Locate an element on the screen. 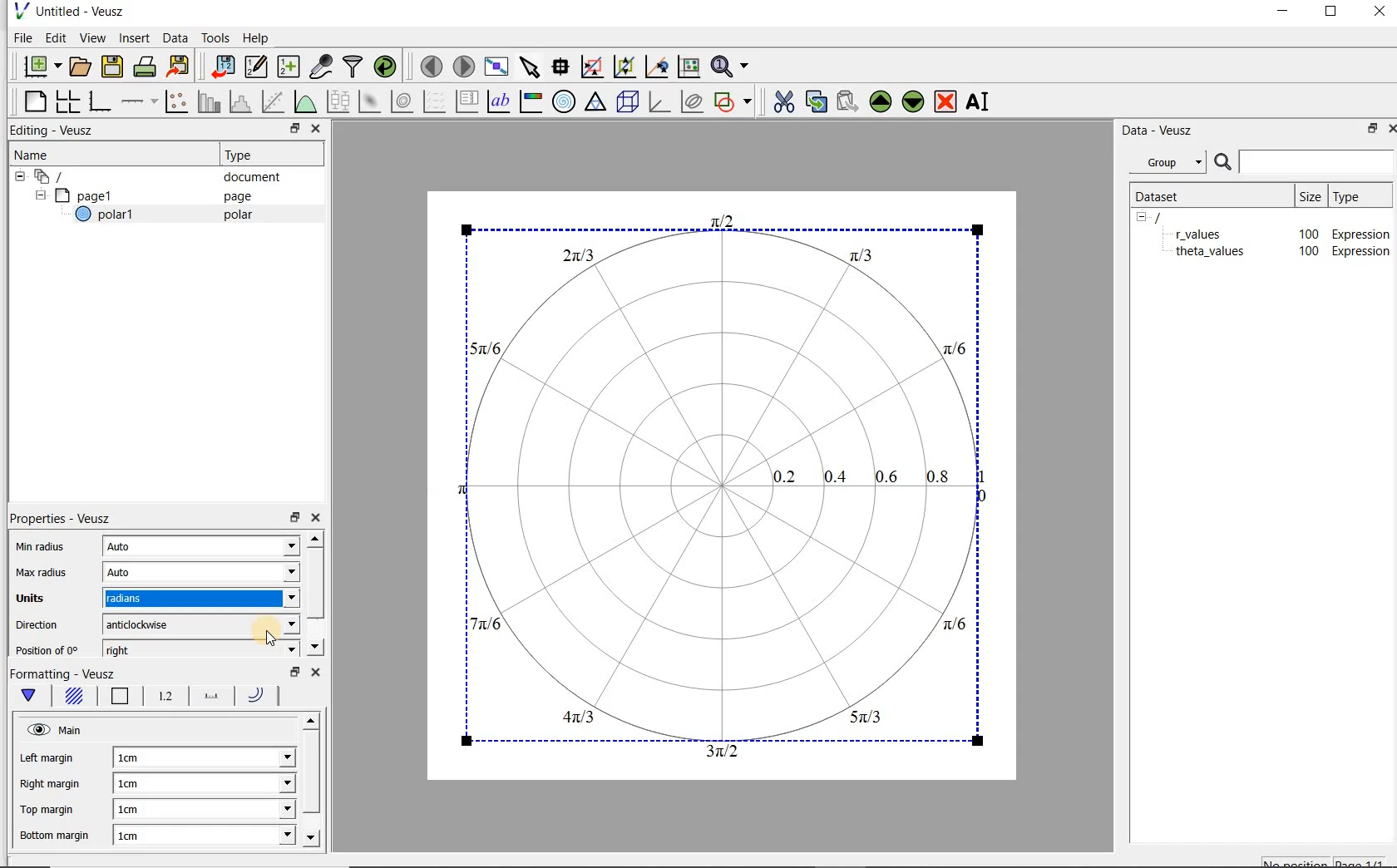 This screenshot has height=868, width=1397. Main is located at coordinates (75, 730).